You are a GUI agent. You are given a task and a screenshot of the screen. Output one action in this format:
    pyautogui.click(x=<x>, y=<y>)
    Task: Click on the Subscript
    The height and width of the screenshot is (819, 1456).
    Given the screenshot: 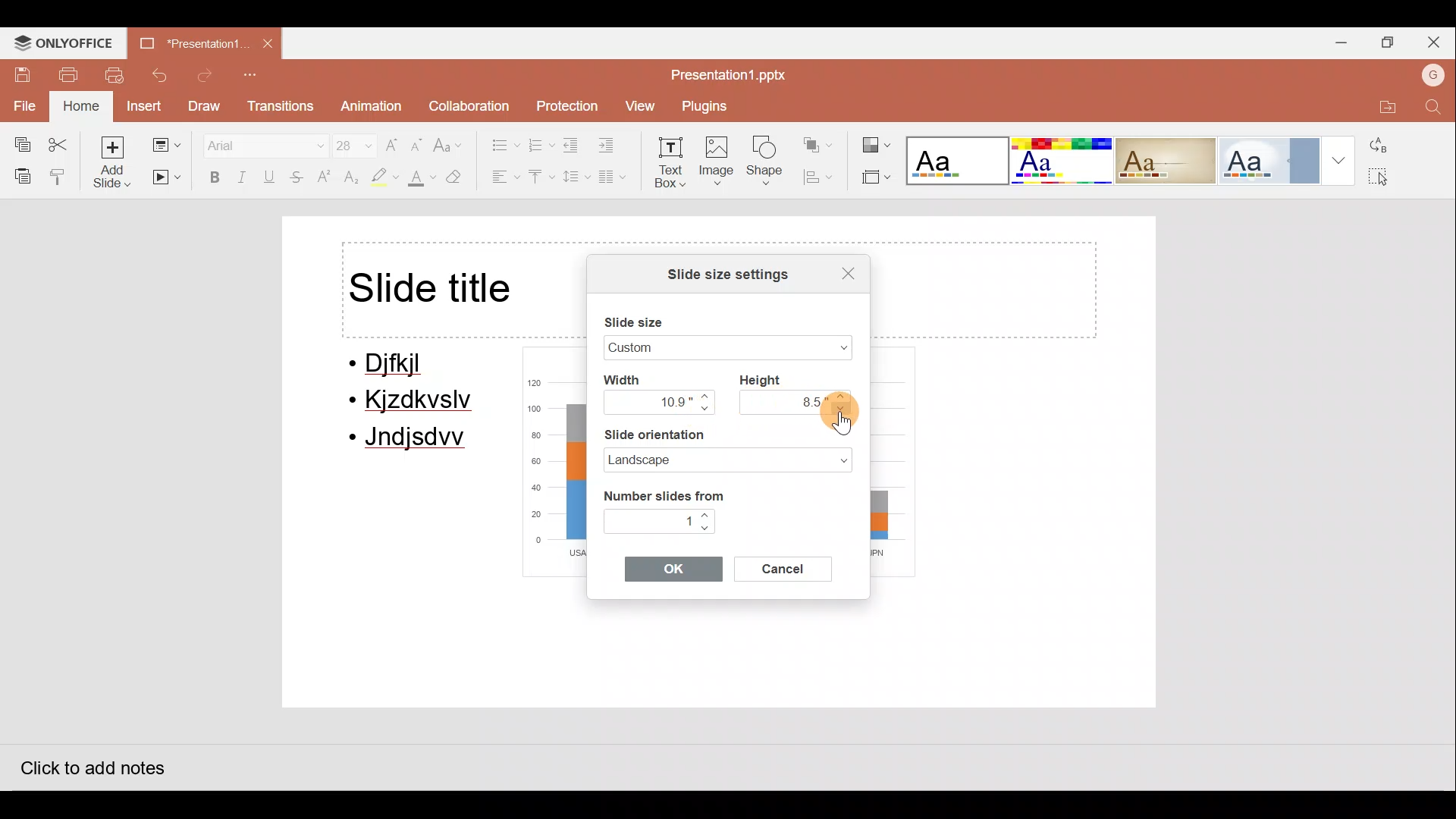 What is the action you would take?
    pyautogui.click(x=349, y=179)
    